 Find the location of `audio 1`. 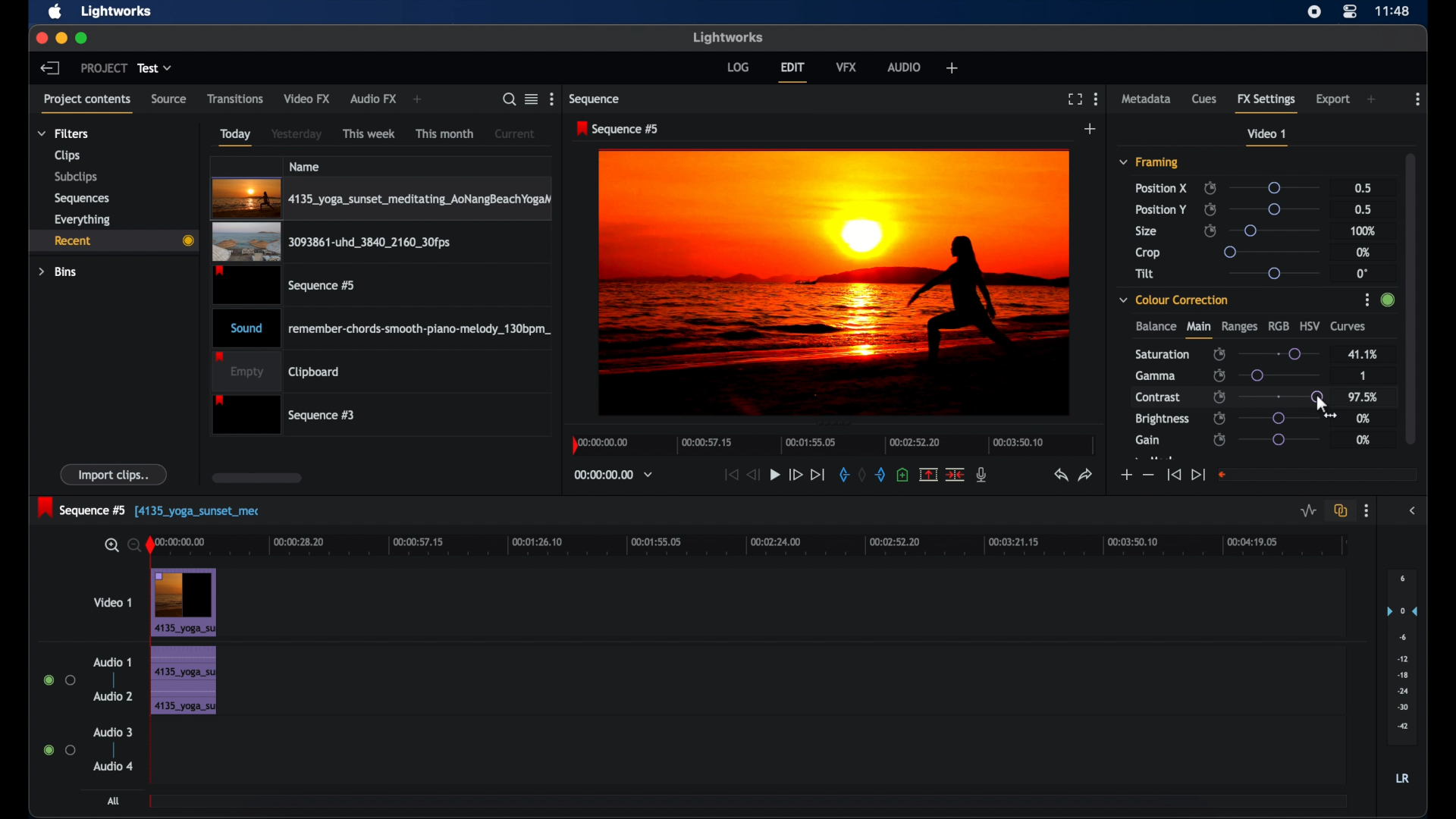

audio 1 is located at coordinates (112, 662).